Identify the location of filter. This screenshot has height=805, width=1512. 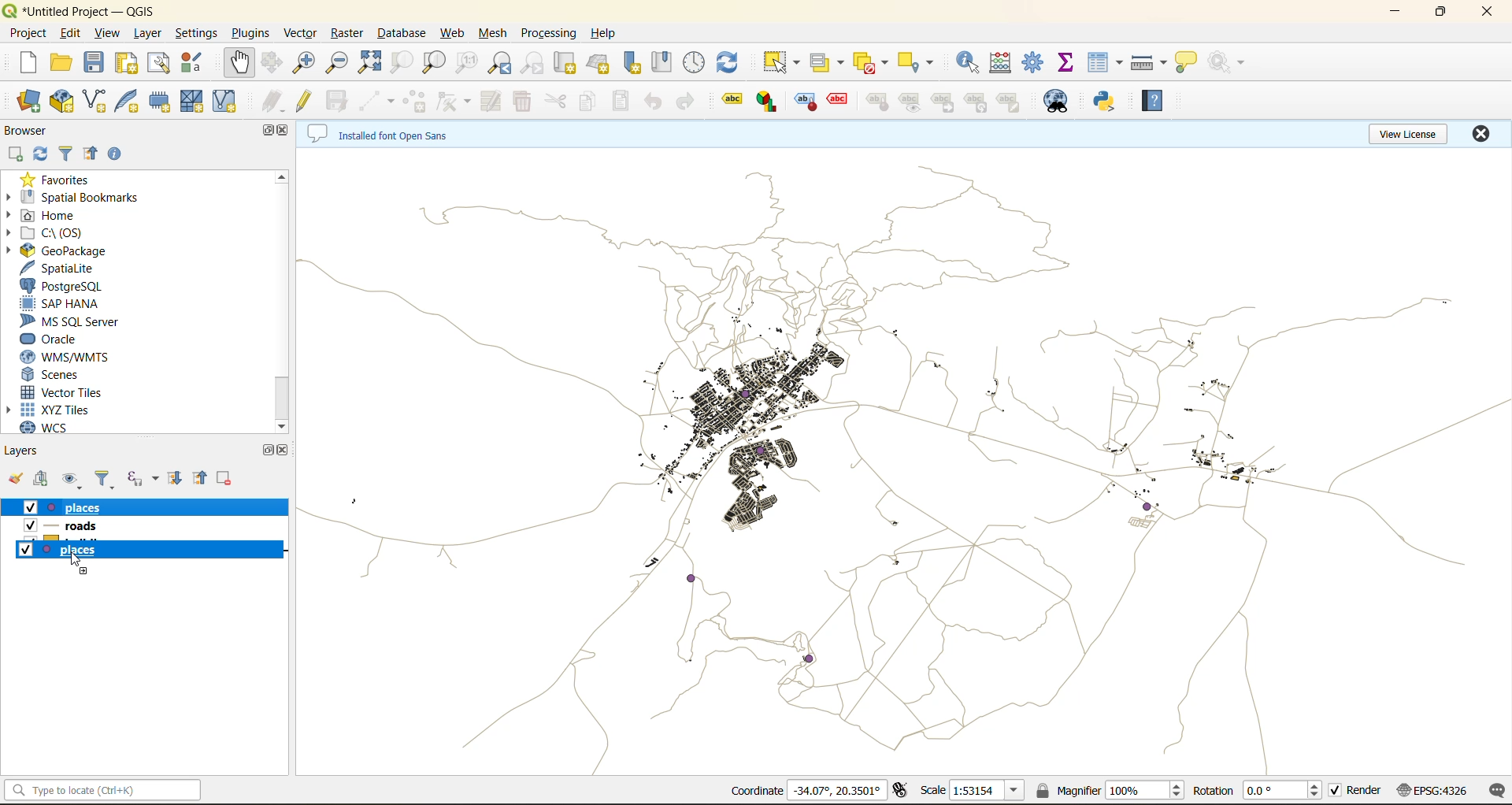
(61, 155).